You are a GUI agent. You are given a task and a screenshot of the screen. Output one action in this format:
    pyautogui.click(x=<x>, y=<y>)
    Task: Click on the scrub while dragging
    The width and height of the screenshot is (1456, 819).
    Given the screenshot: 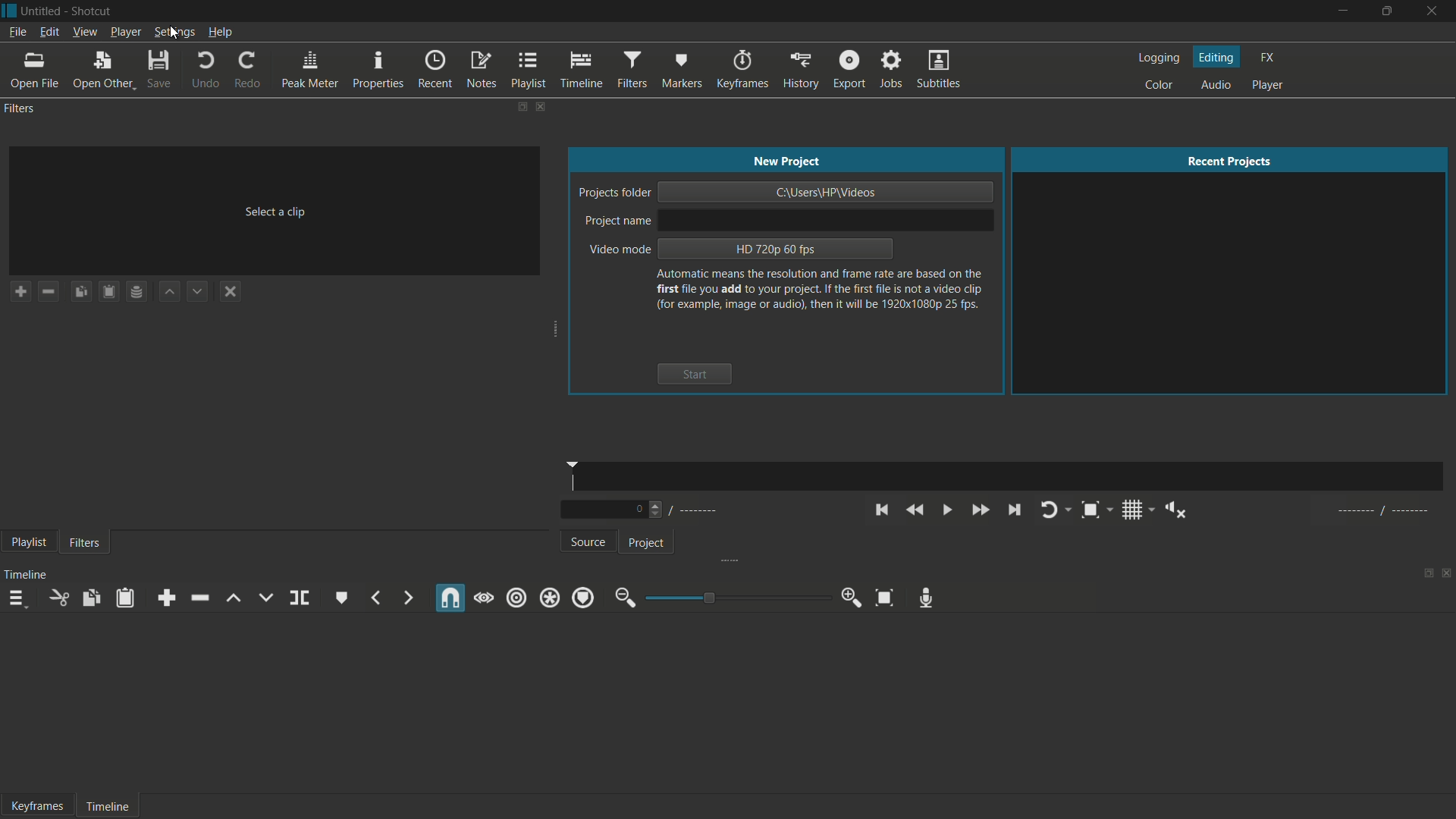 What is the action you would take?
    pyautogui.click(x=484, y=598)
    